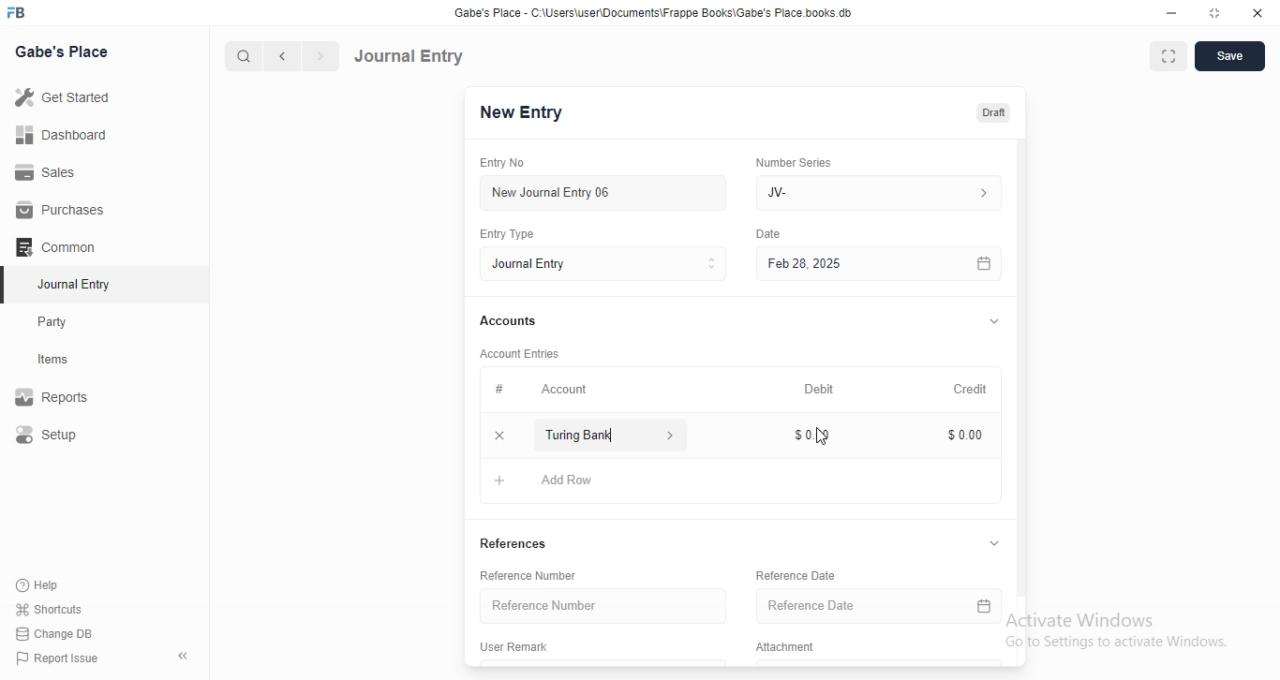  What do you see at coordinates (856, 608) in the screenshot?
I see `Reference Date` at bounding box center [856, 608].